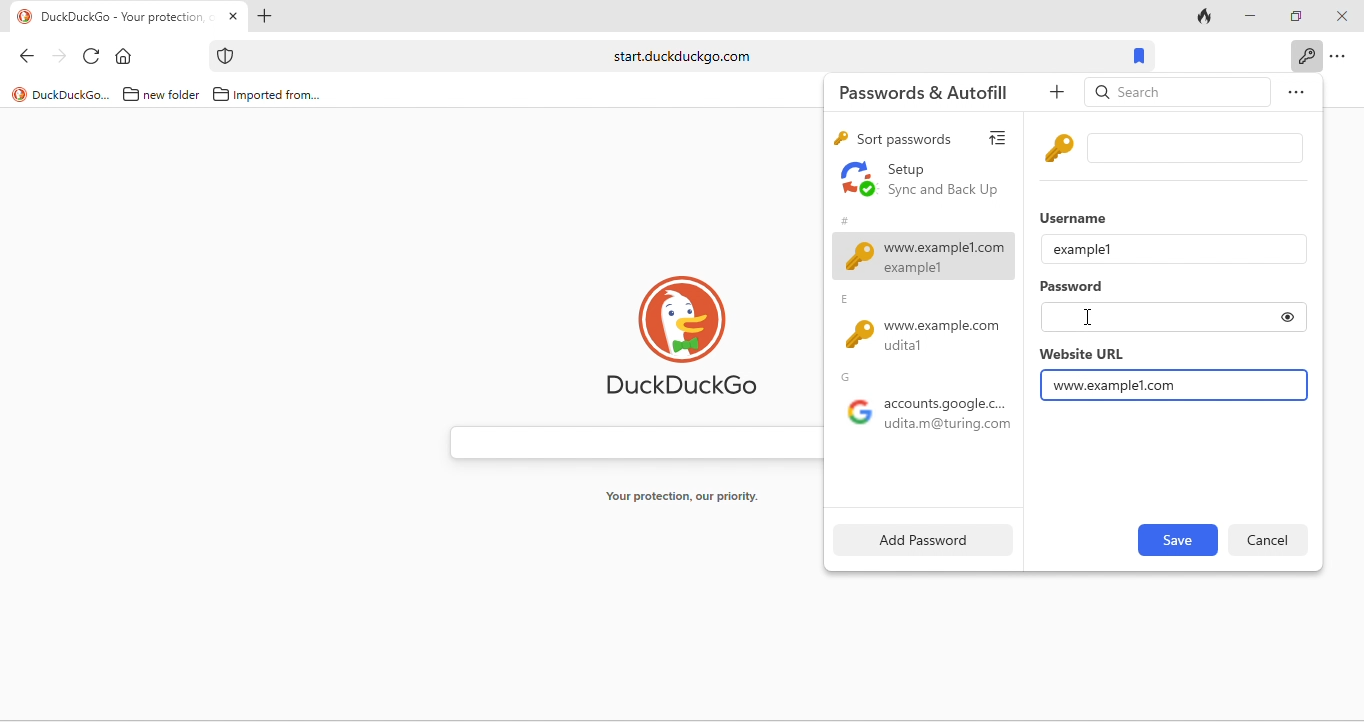 This screenshot has width=1364, height=722. Describe the element at coordinates (227, 56) in the screenshot. I see `icon` at that location.